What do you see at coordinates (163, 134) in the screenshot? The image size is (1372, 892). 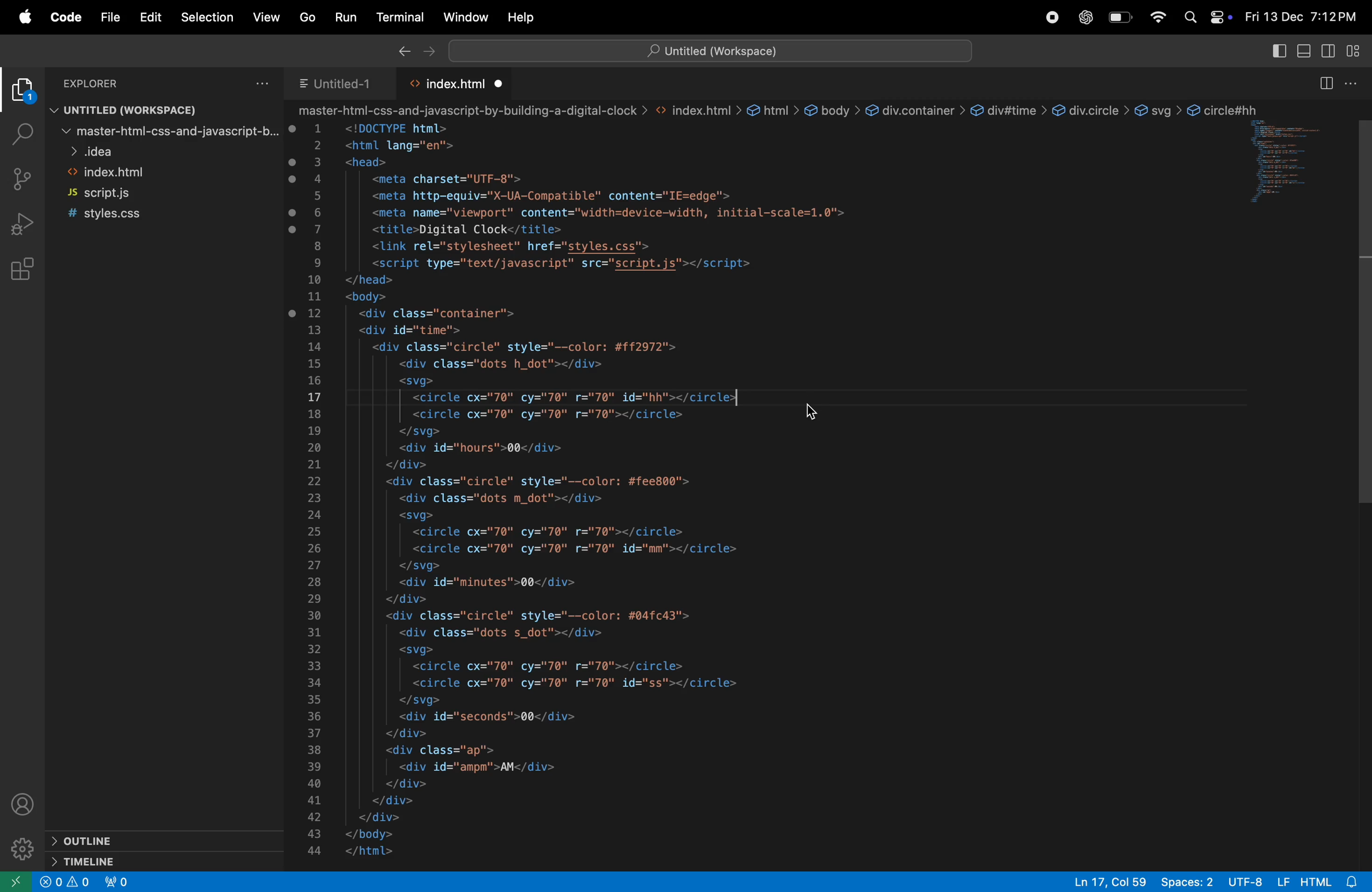 I see `master file` at bounding box center [163, 134].